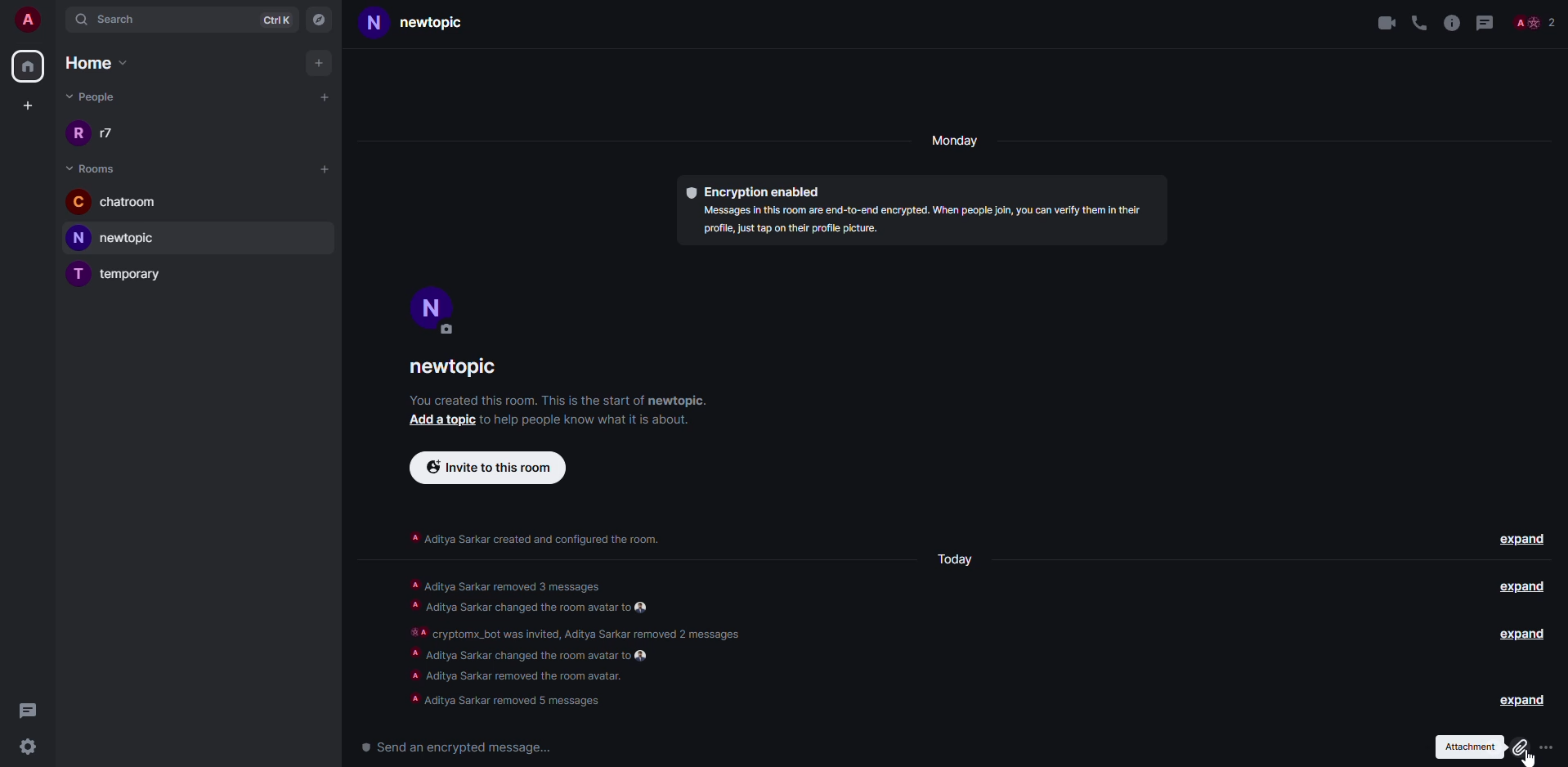 Image resolution: width=1568 pixels, height=767 pixels. Describe the element at coordinates (486, 469) in the screenshot. I see `invite to this room` at that location.